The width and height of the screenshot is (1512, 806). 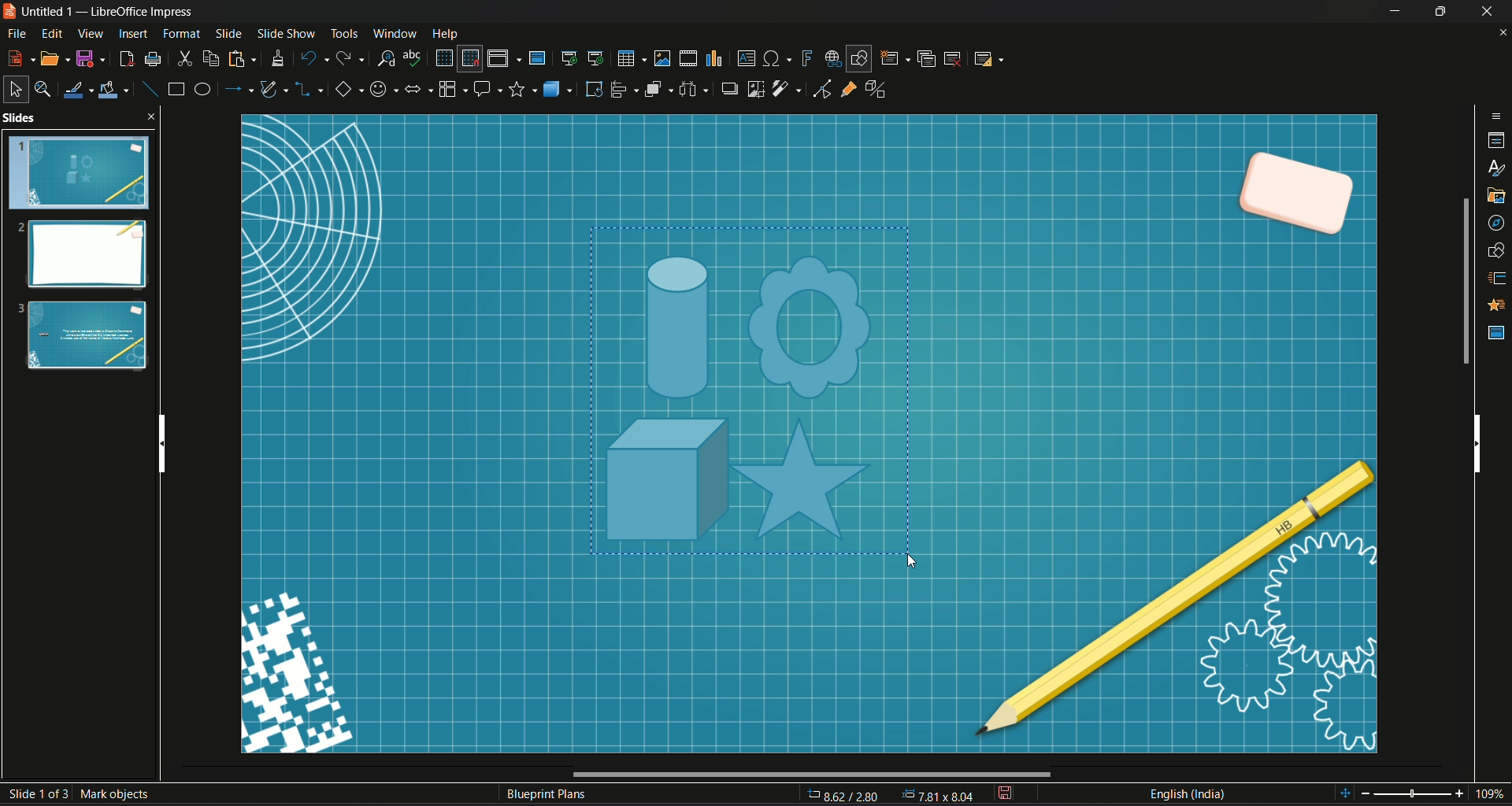 I want to click on insert, so click(x=132, y=34).